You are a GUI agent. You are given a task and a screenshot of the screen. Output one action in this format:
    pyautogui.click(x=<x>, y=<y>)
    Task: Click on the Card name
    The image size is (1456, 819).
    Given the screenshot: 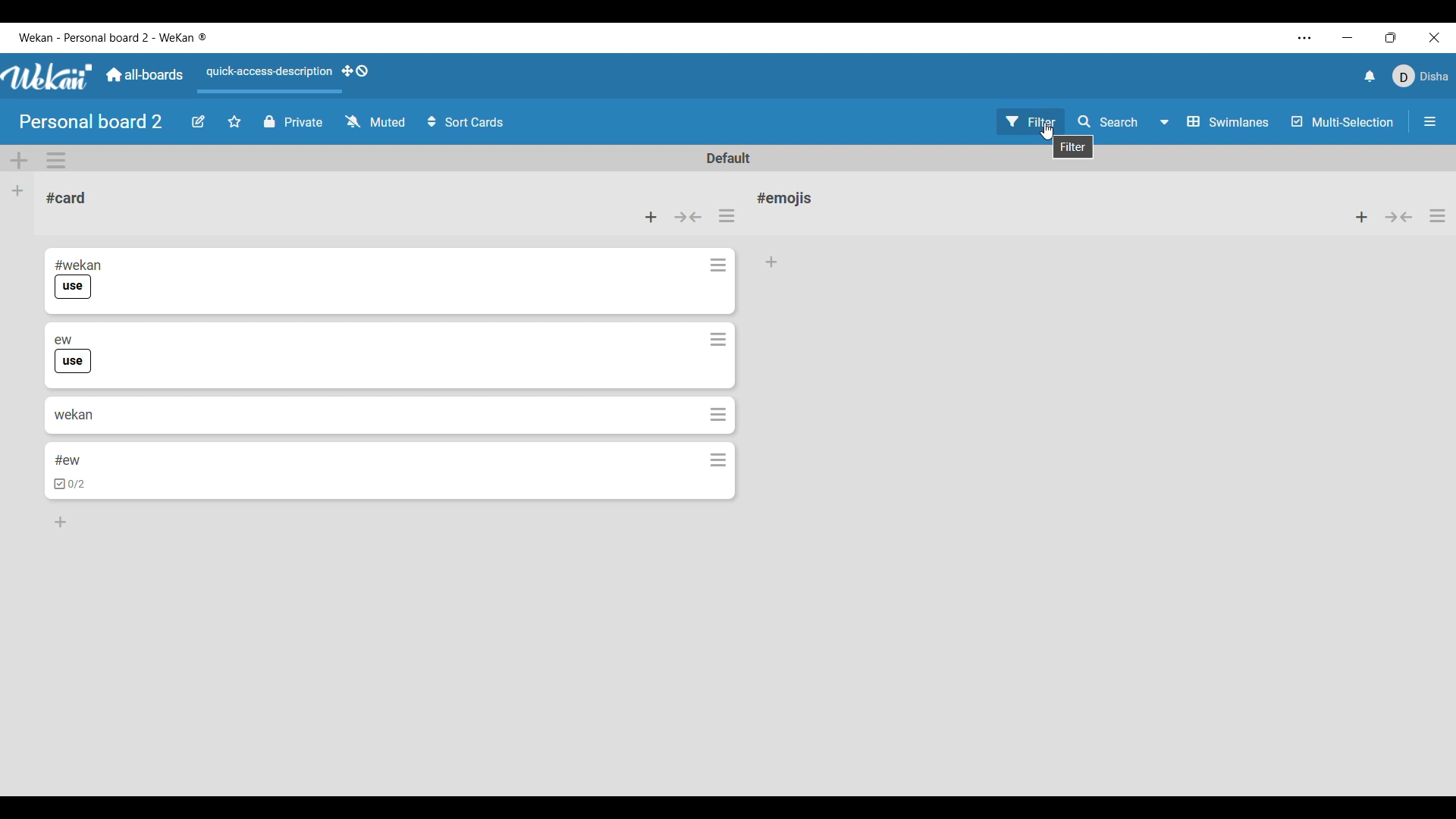 What is the action you would take?
    pyautogui.click(x=788, y=198)
    